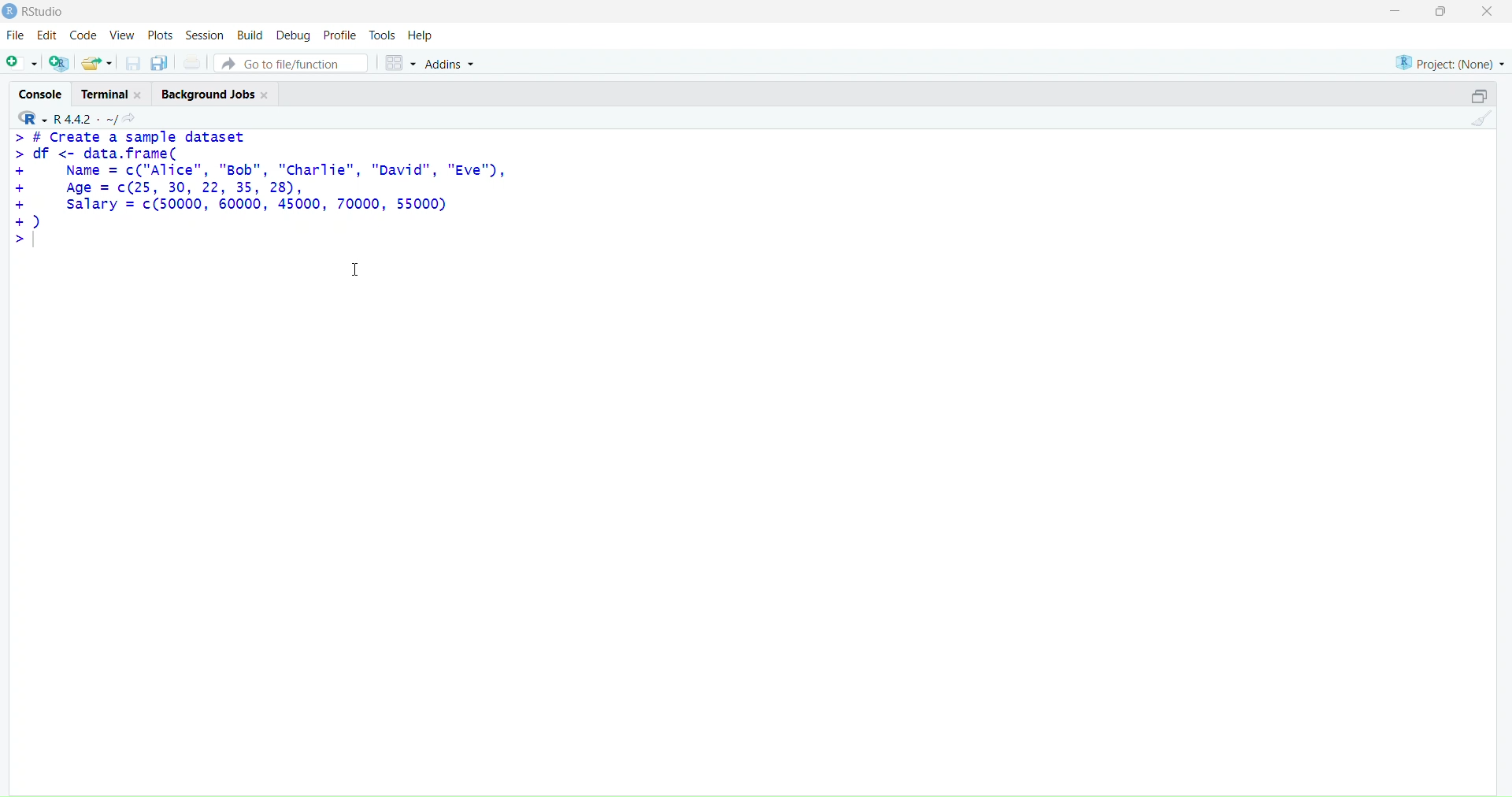 The image size is (1512, 797). I want to click on file, so click(16, 36).